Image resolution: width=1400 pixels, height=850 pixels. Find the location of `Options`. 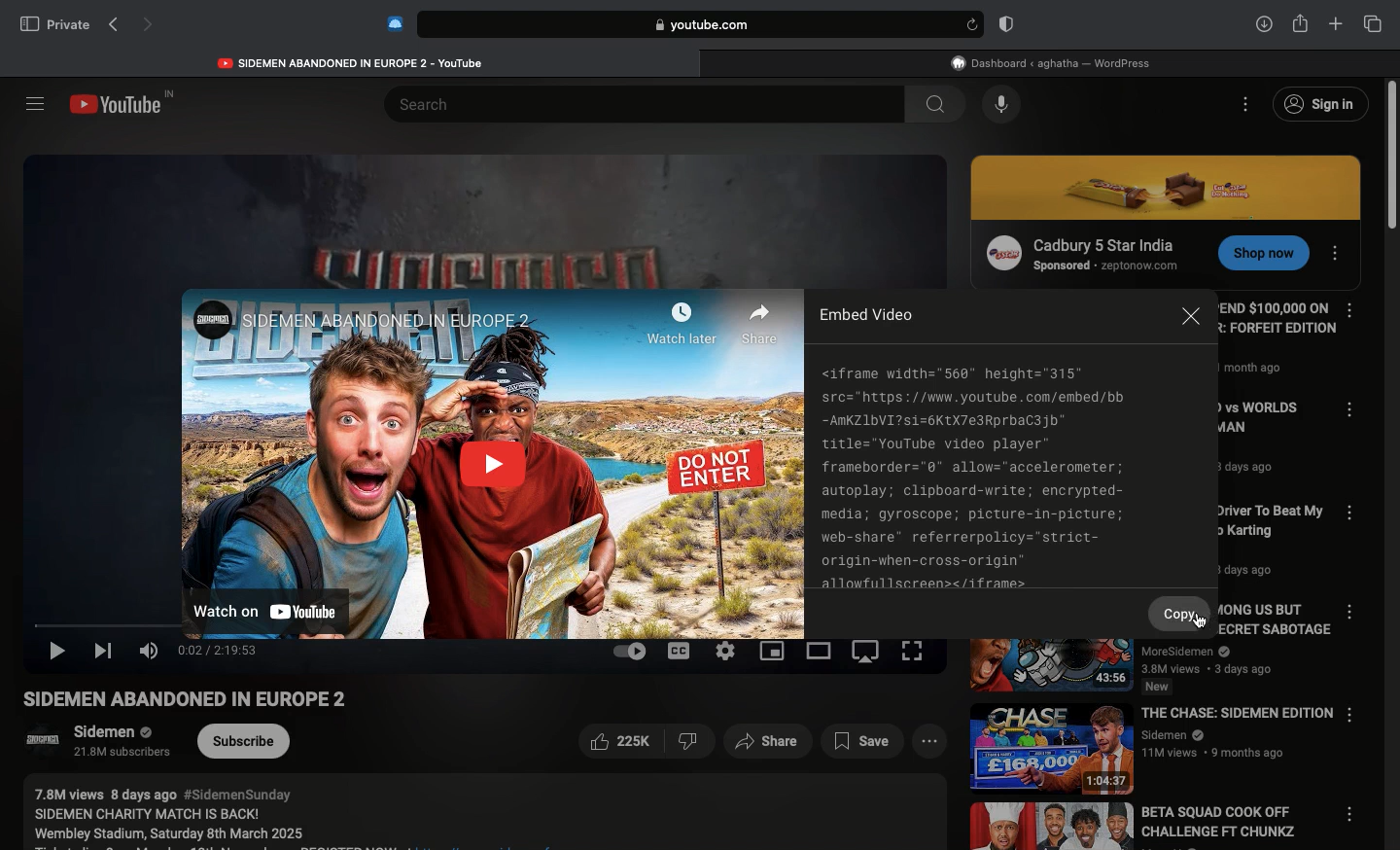

Options is located at coordinates (1350, 310).